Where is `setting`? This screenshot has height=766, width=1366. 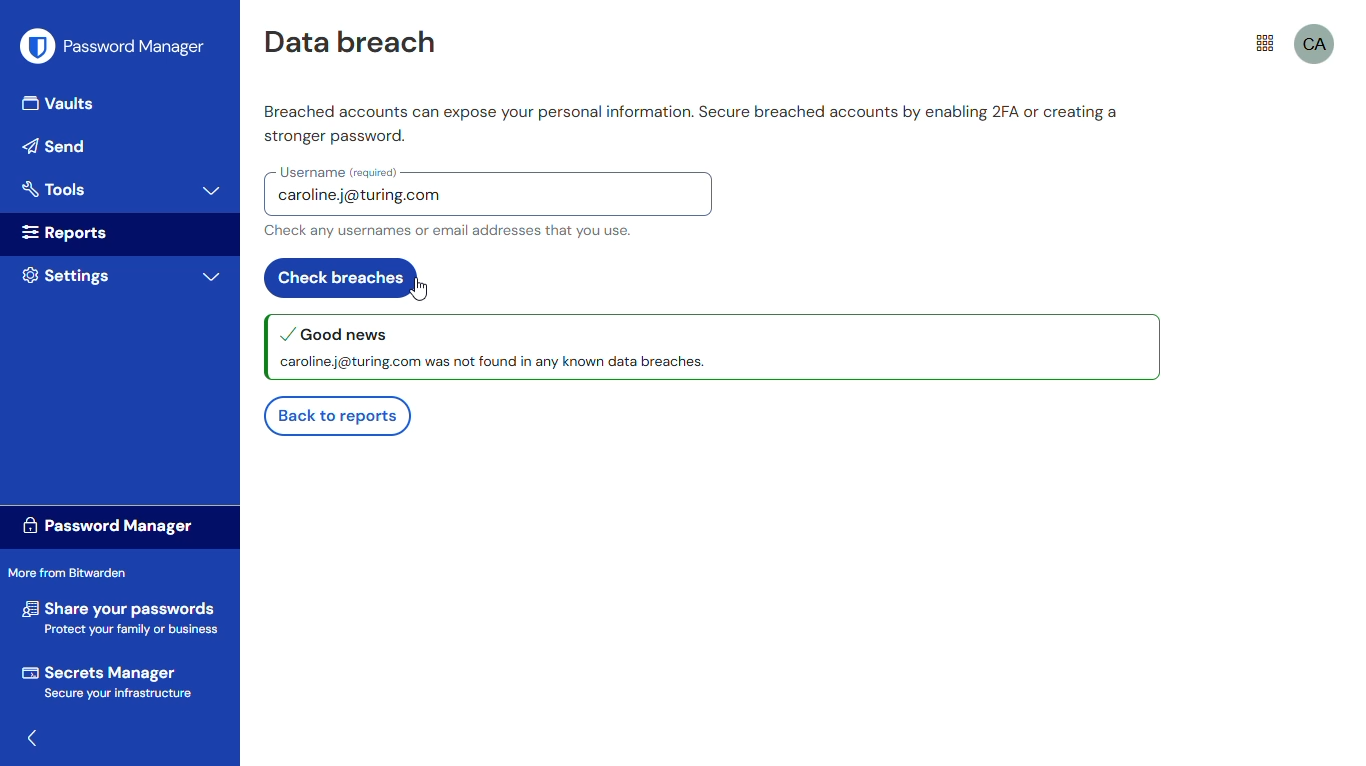 setting is located at coordinates (66, 275).